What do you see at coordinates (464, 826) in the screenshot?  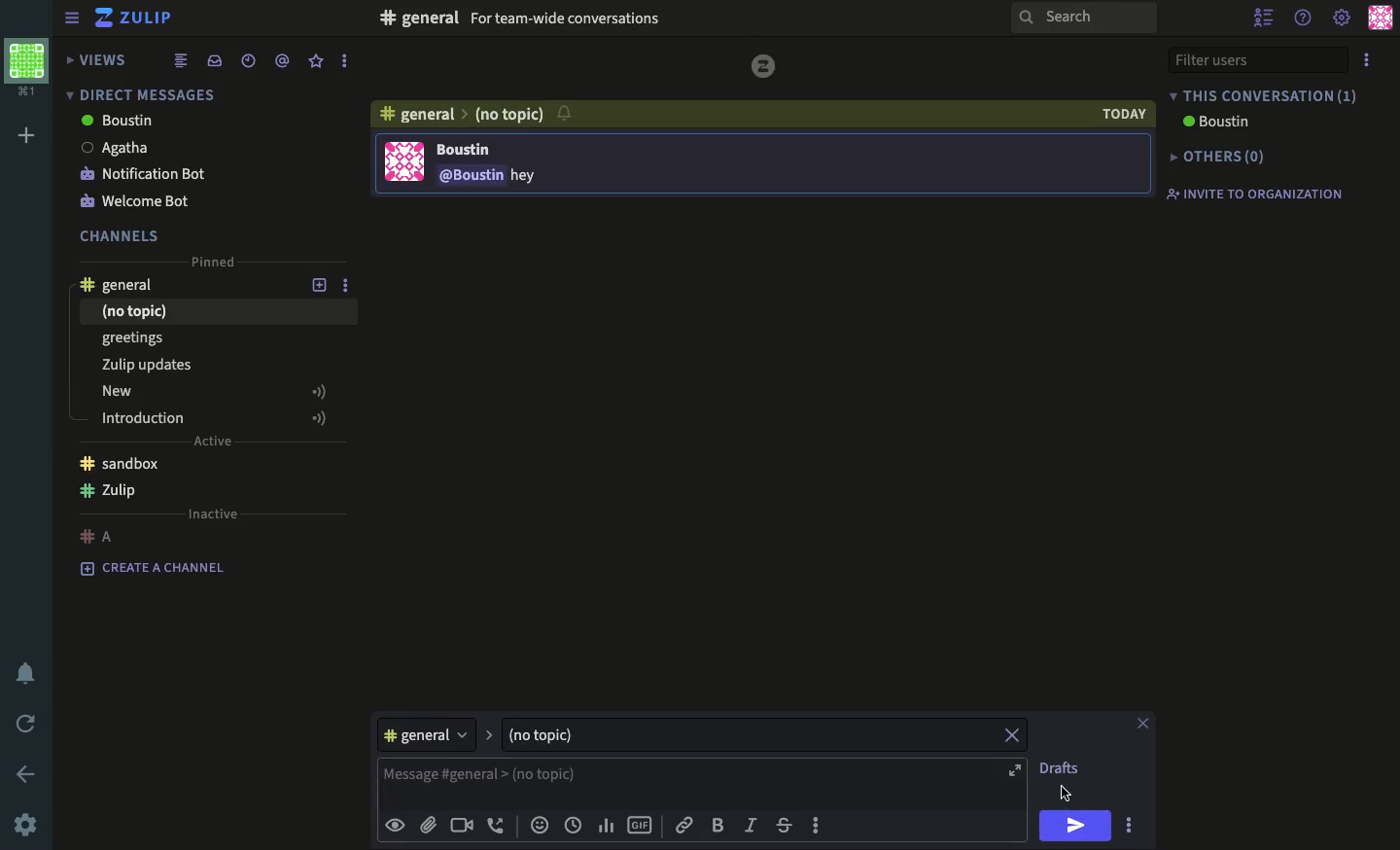 I see `video call` at bounding box center [464, 826].